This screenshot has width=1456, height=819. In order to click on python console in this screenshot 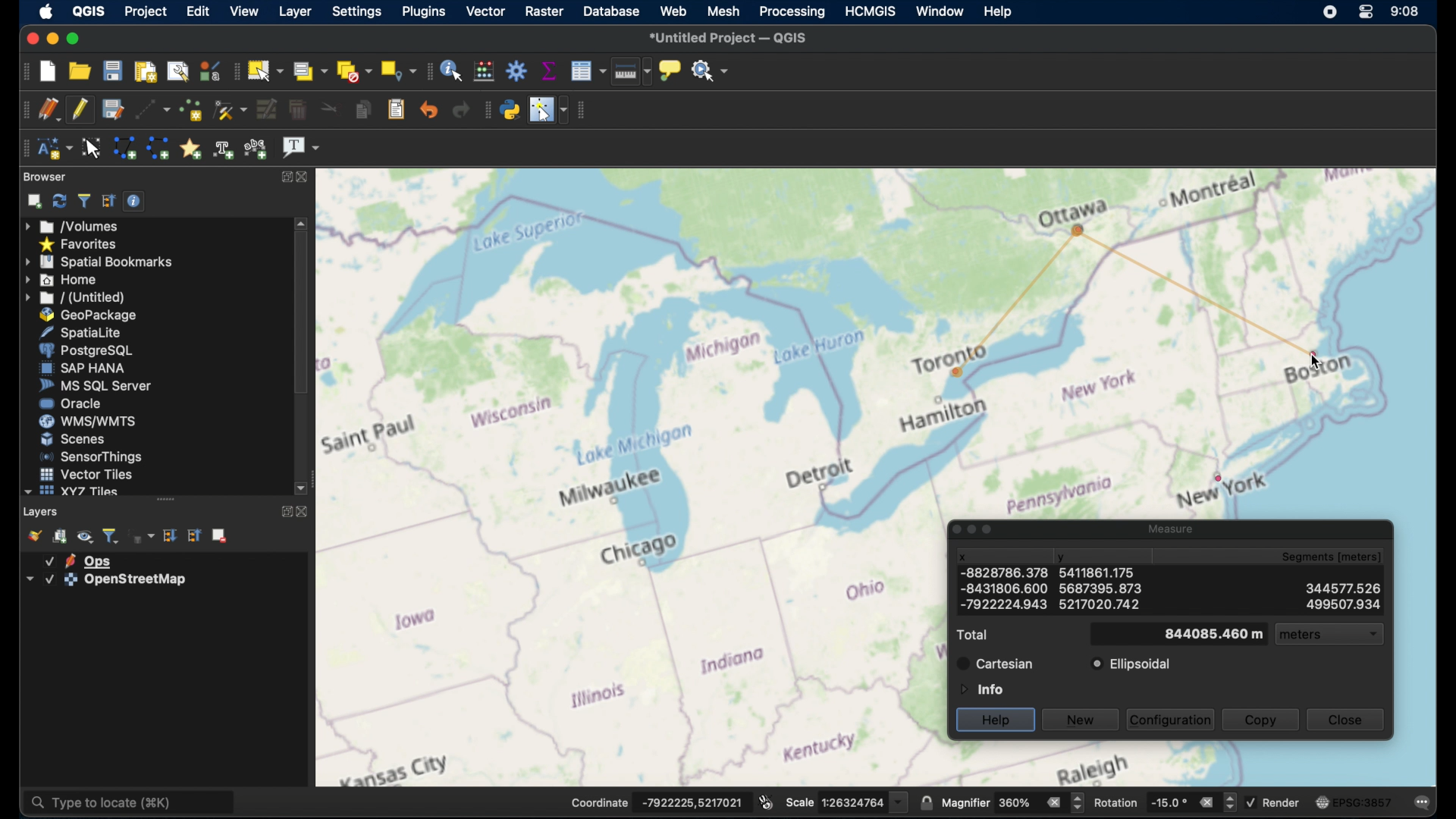, I will do `click(510, 108)`.